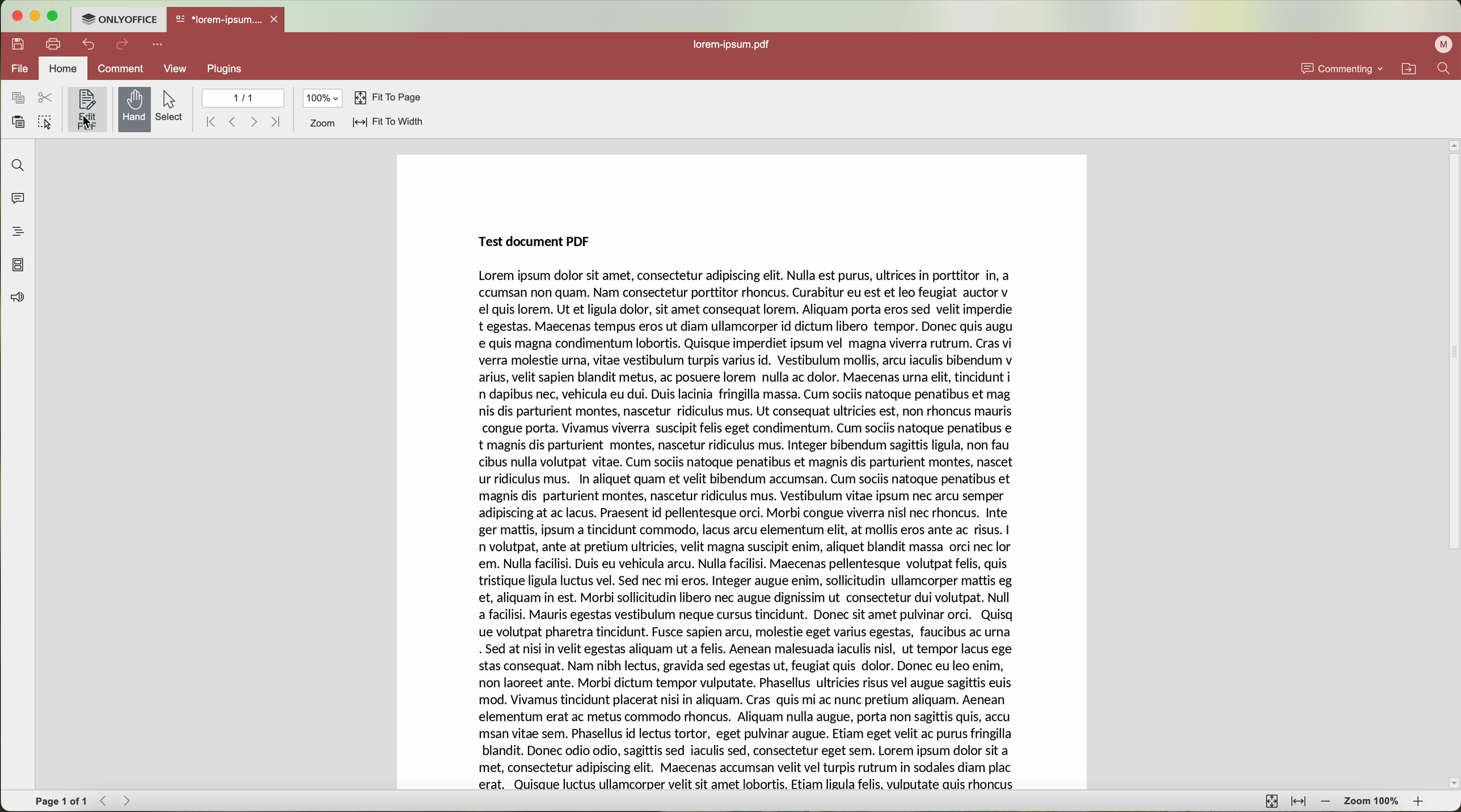 The image size is (1461, 812). I want to click on save, so click(19, 43).